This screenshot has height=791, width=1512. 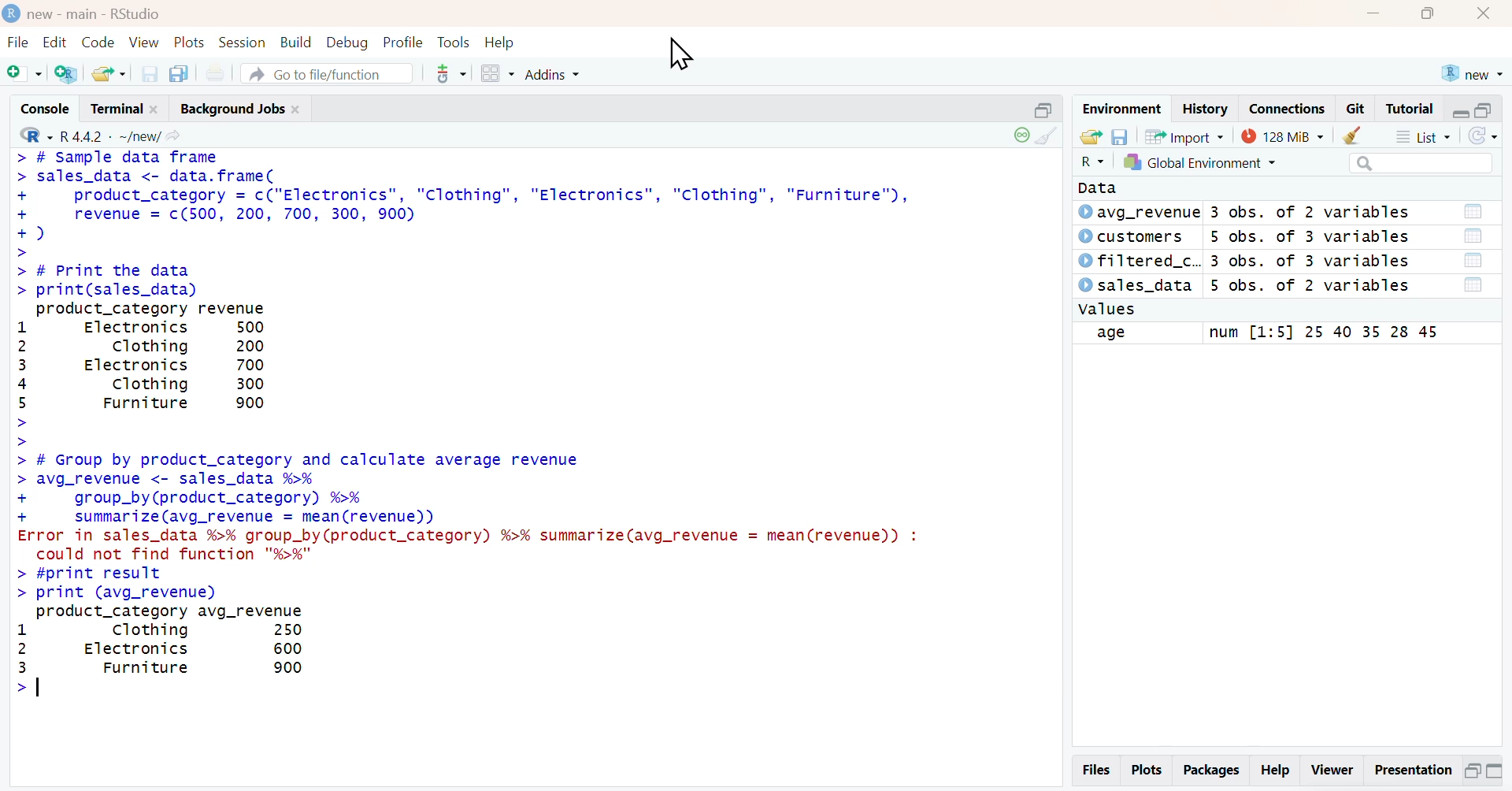 What do you see at coordinates (95, 14) in the screenshot?
I see `new - main - RStudio` at bounding box center [95, 14].